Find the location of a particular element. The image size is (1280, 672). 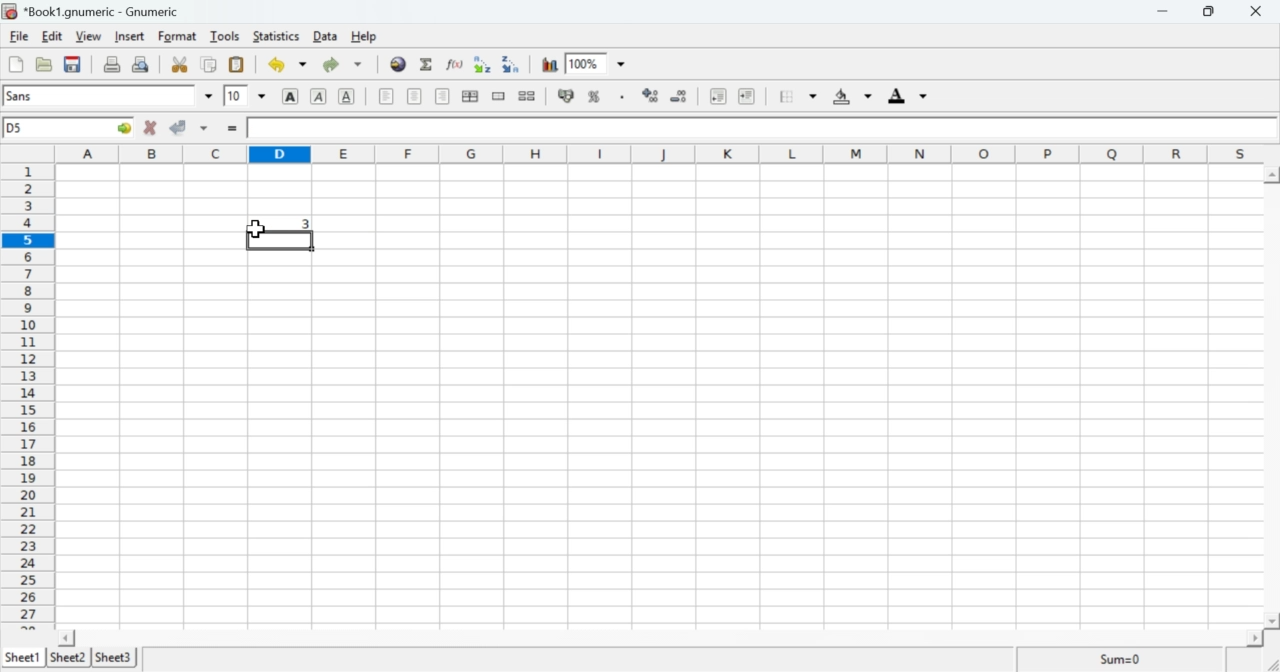

Accept change is located at coordinates (190, 129).